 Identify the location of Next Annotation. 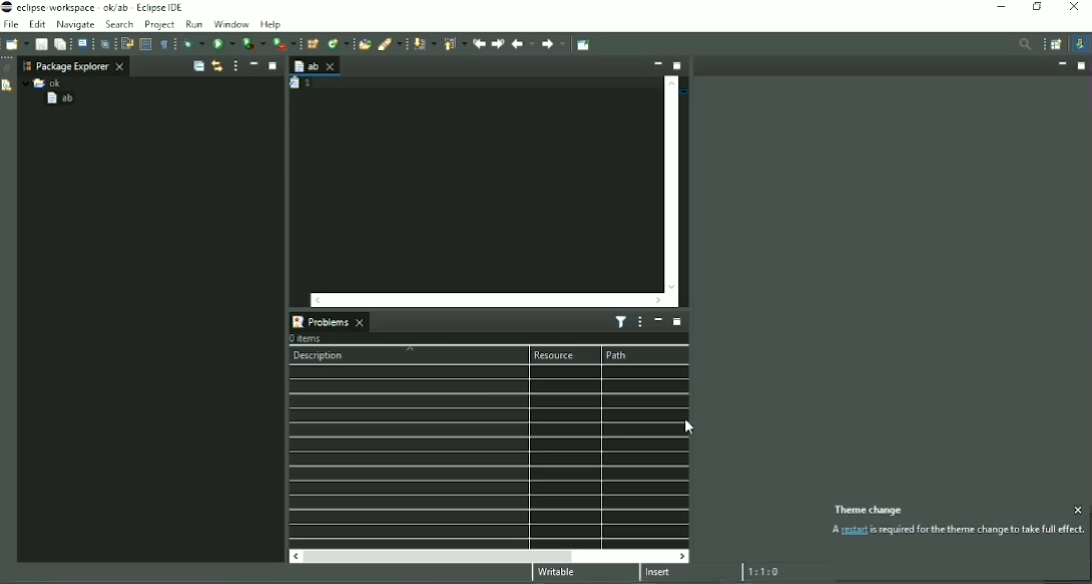
(425, 42).